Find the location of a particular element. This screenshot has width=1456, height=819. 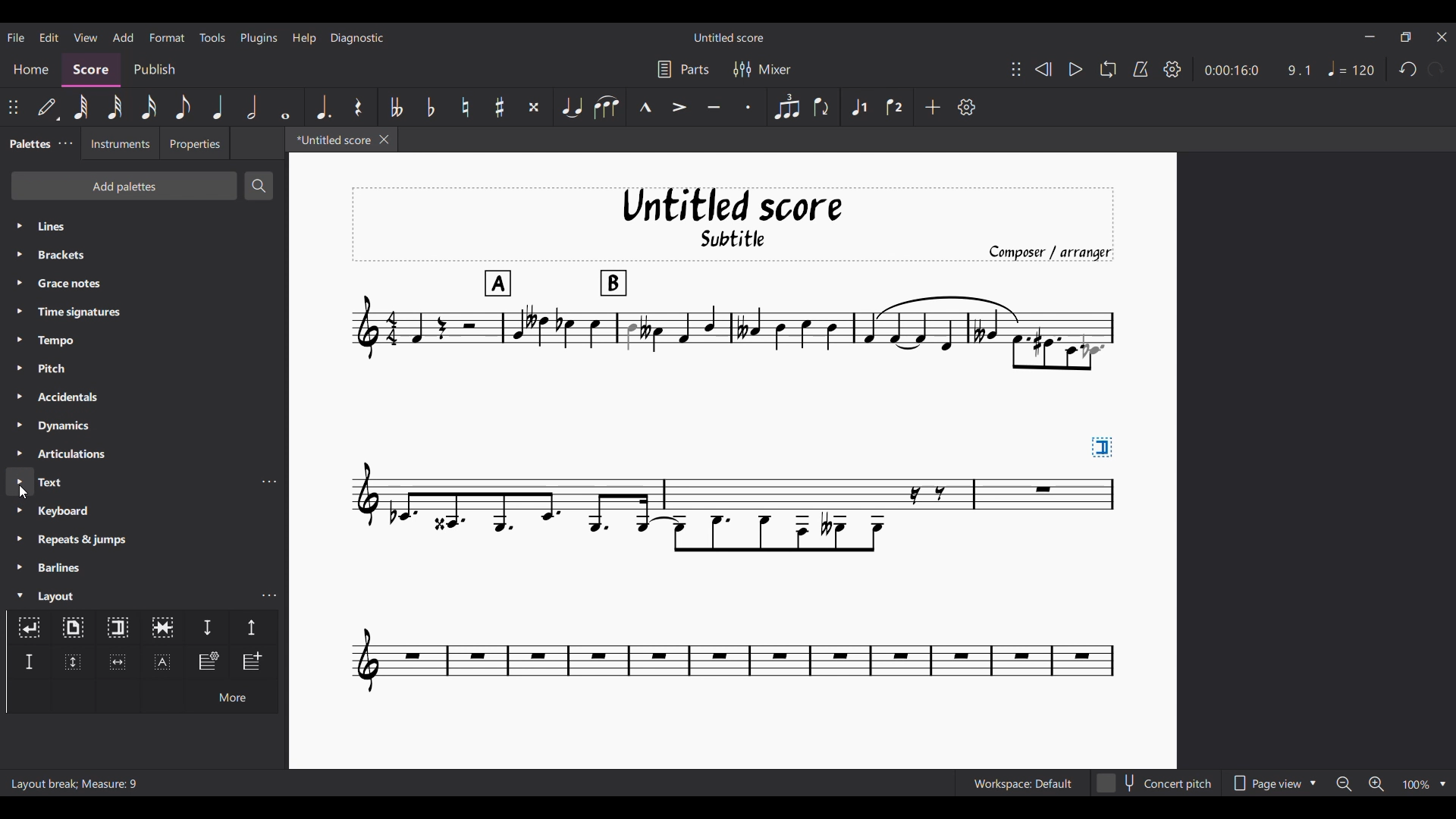

Toggle sharp is located at coordinates (499, 107).